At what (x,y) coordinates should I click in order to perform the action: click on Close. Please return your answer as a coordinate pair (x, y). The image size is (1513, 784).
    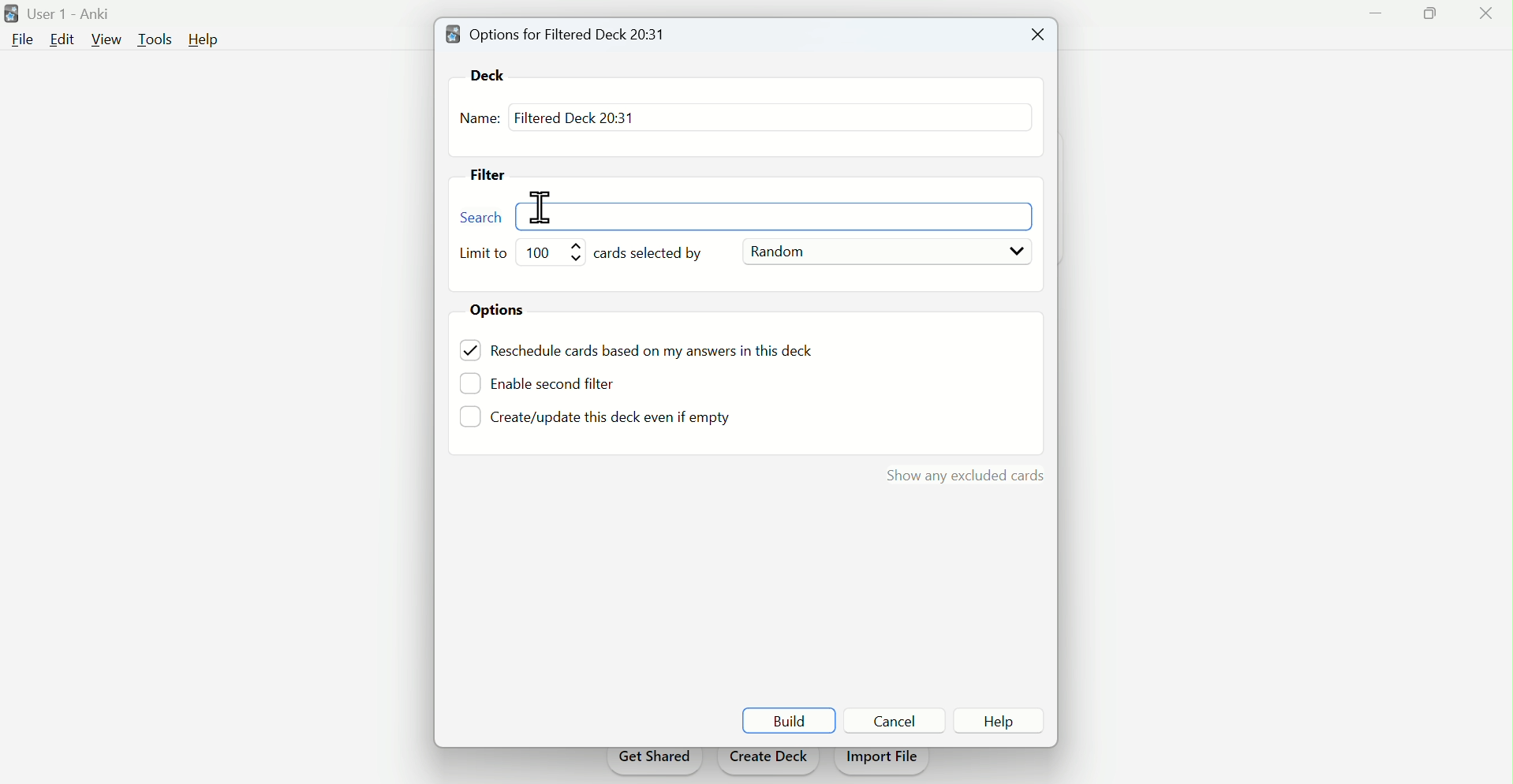
    Looking at the image, I should click on (1482, 17).